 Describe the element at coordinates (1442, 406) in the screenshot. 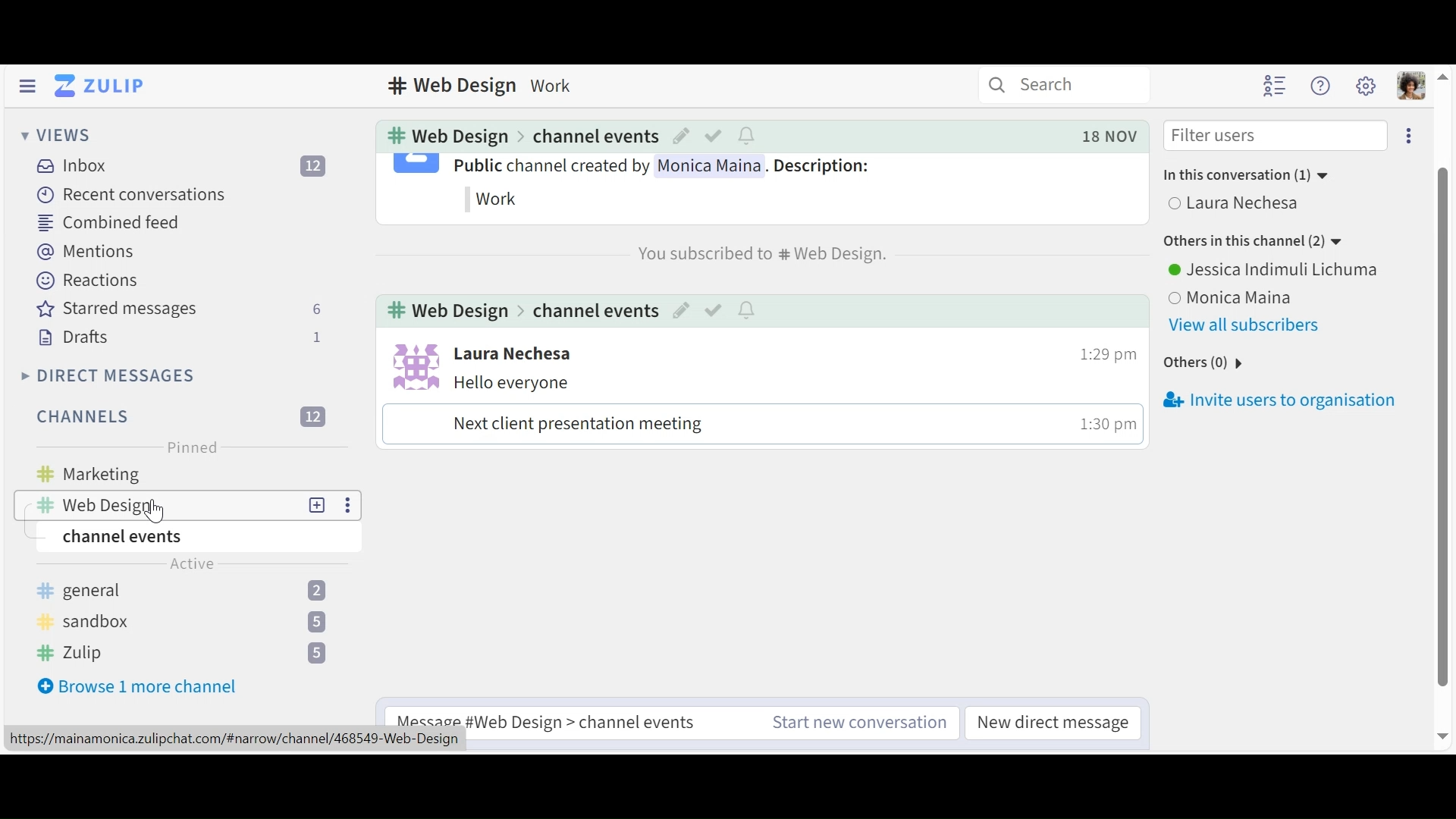

I see `vertical scrollbar` at that location.